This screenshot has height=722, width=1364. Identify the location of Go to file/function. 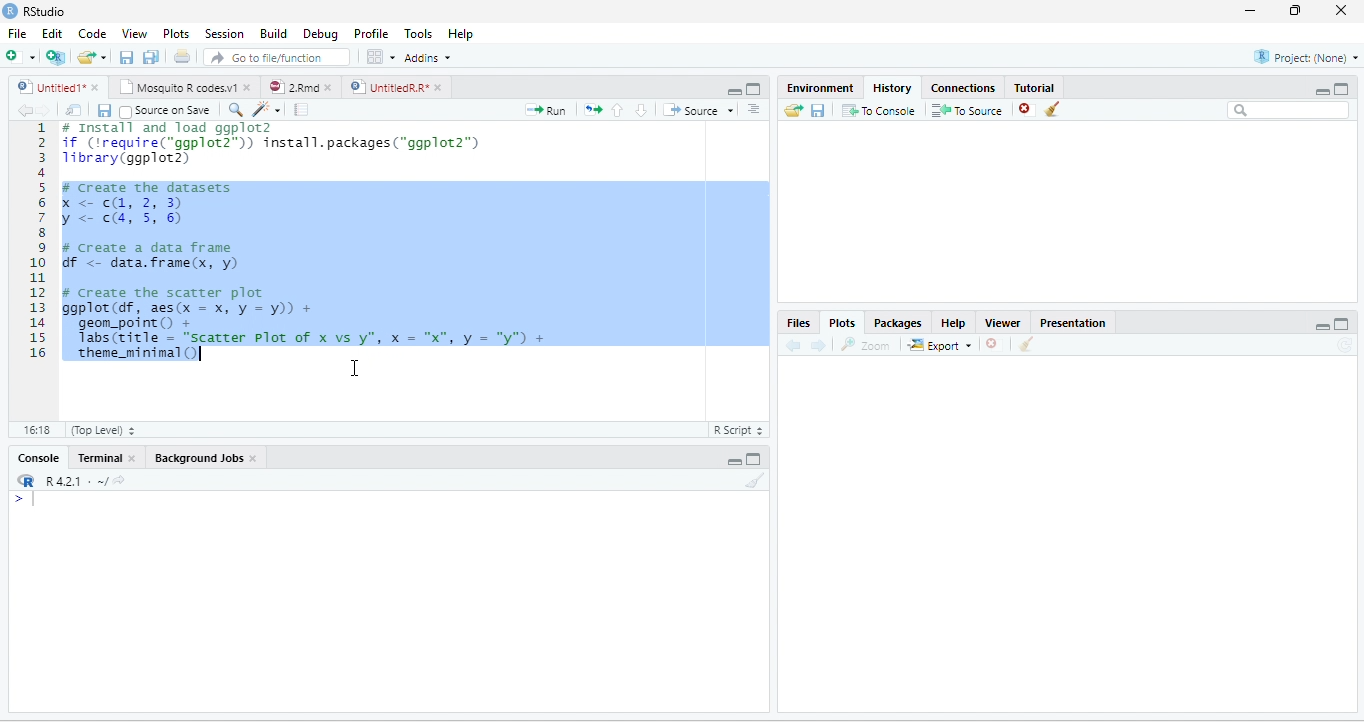
(277, 56).